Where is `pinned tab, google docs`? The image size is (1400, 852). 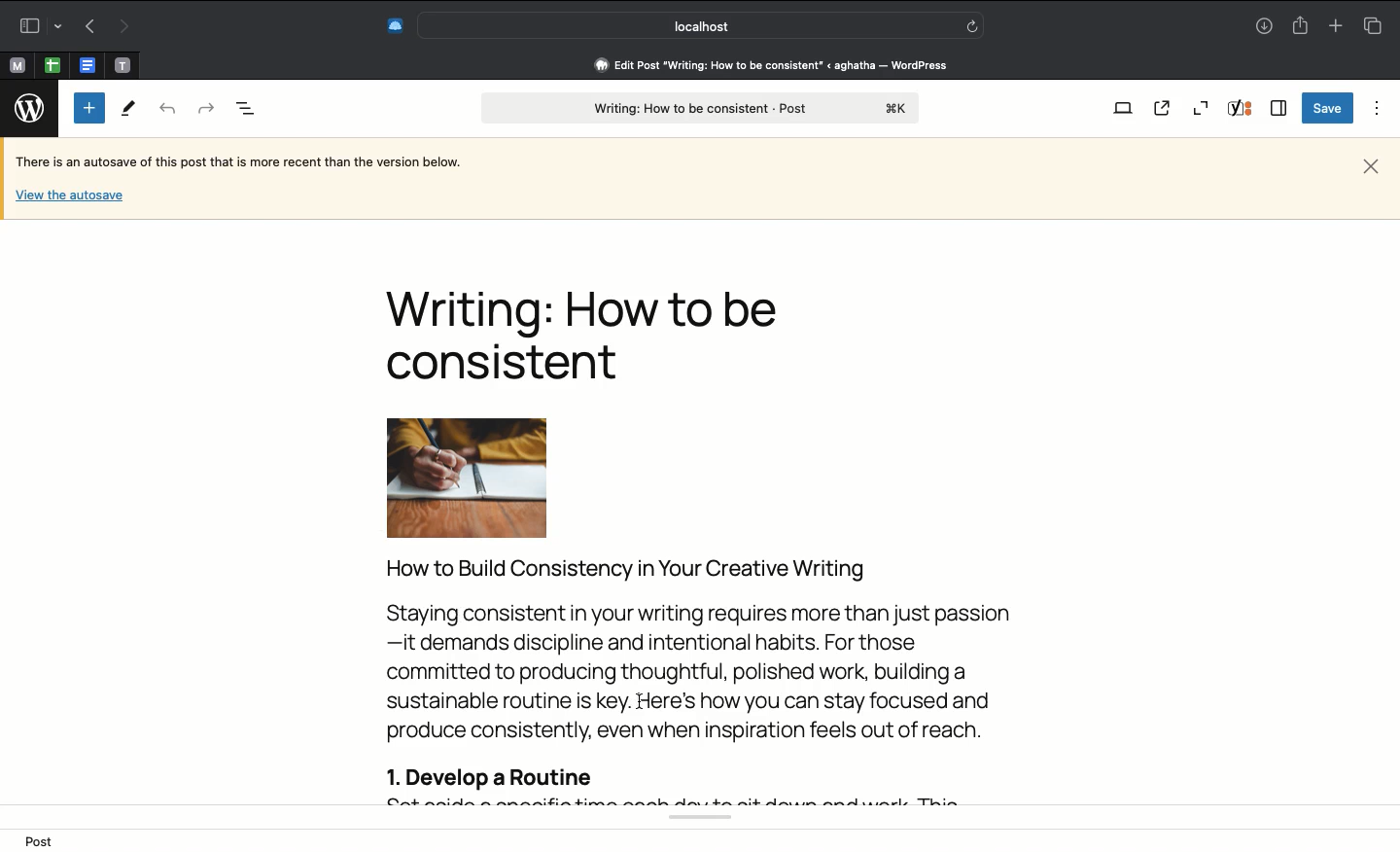 pinned tab, google docs is located at coordinates (86, 61).